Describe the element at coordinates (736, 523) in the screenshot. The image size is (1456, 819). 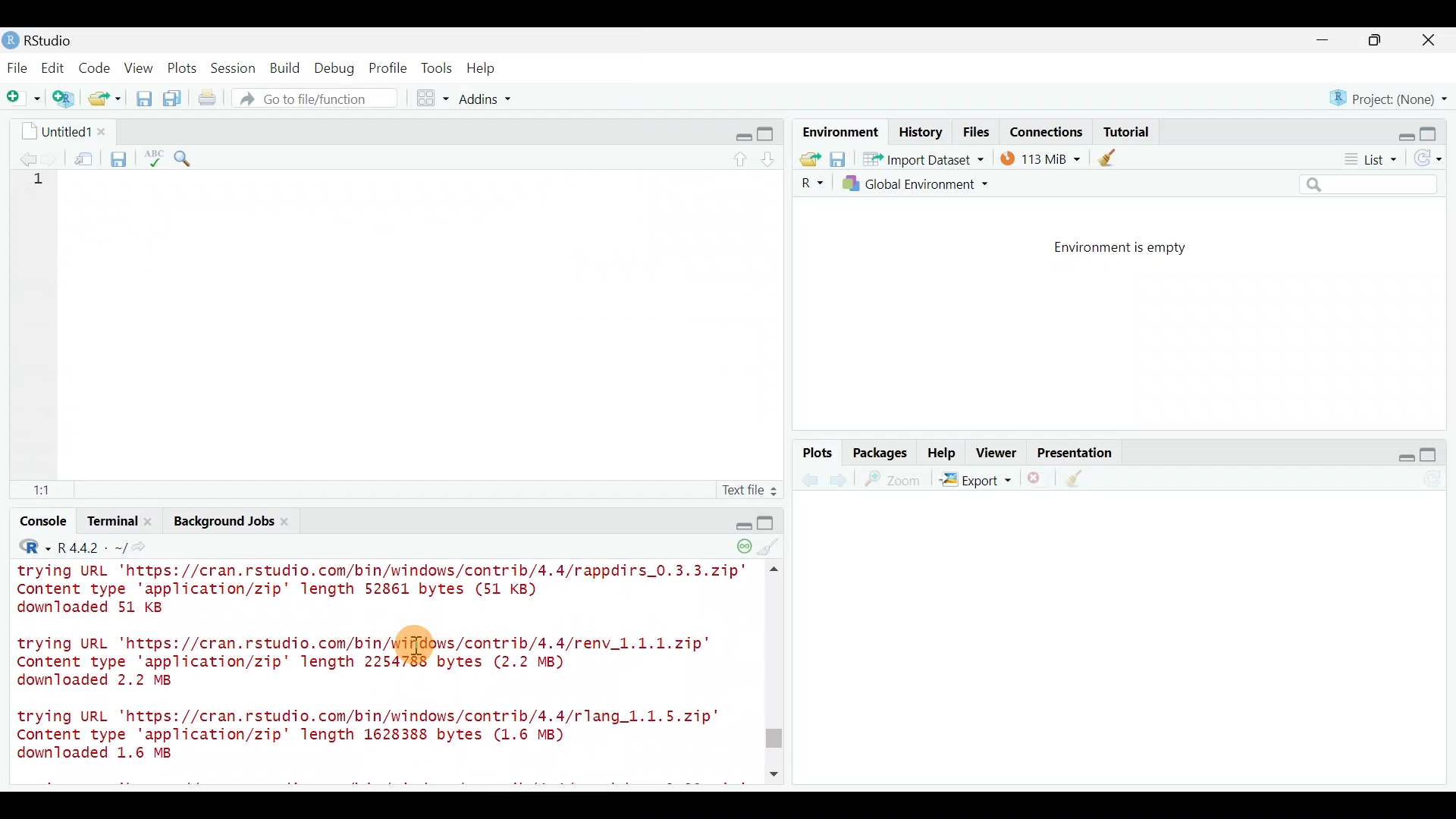
I see `restore down` at that location.